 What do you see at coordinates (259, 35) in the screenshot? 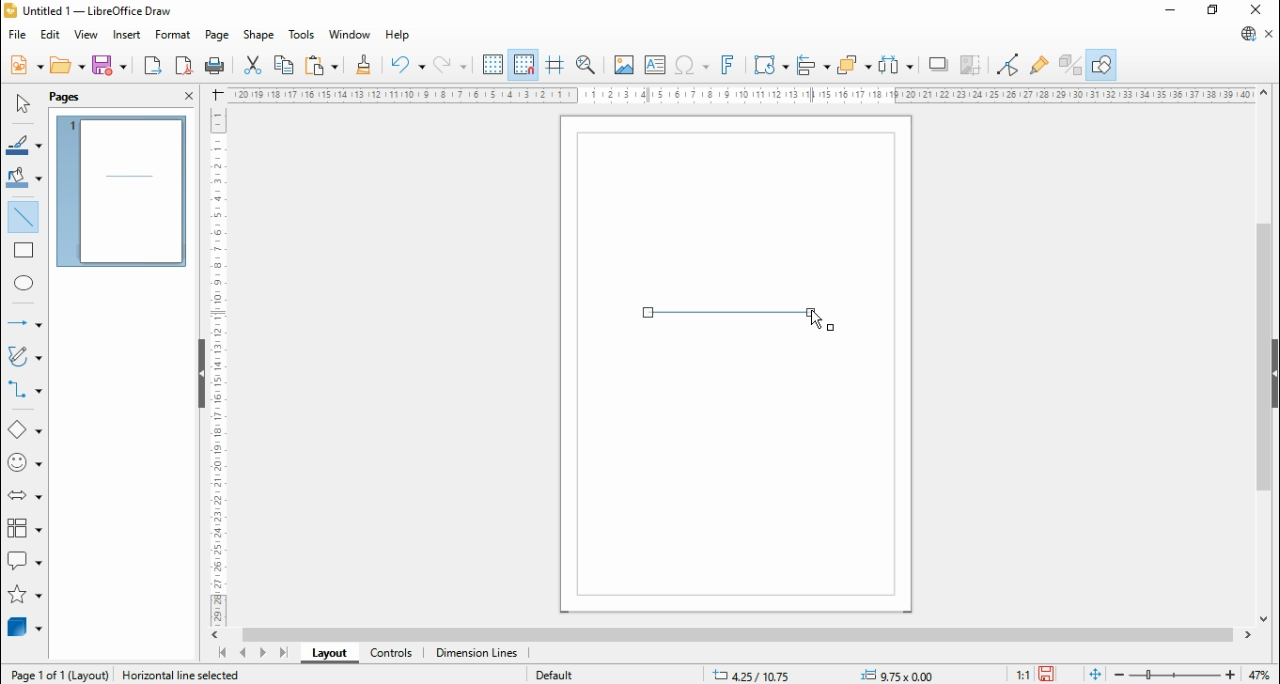
I see `shape` at bounding box center [259, 35].